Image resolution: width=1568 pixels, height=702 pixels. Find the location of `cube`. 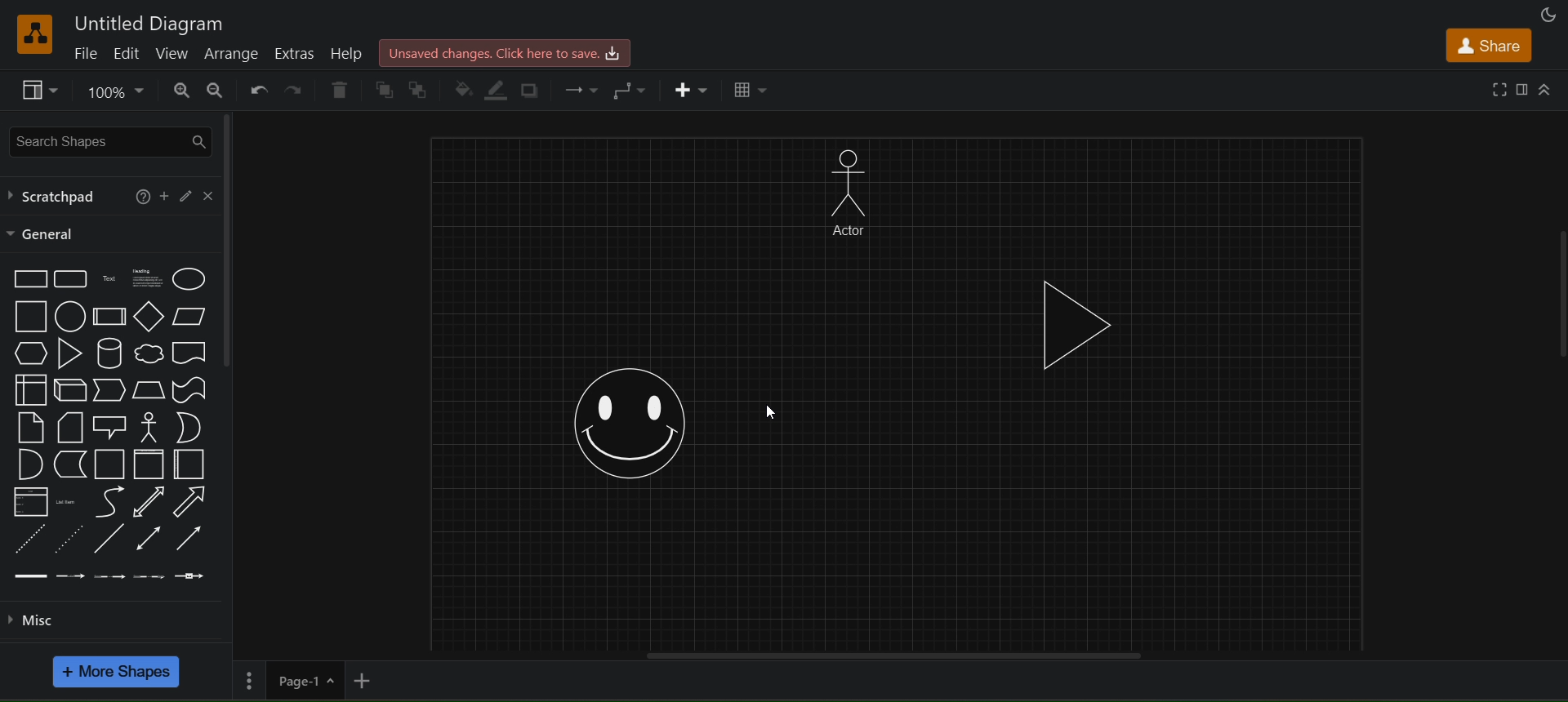

cube is located at coordinates (67, 389).